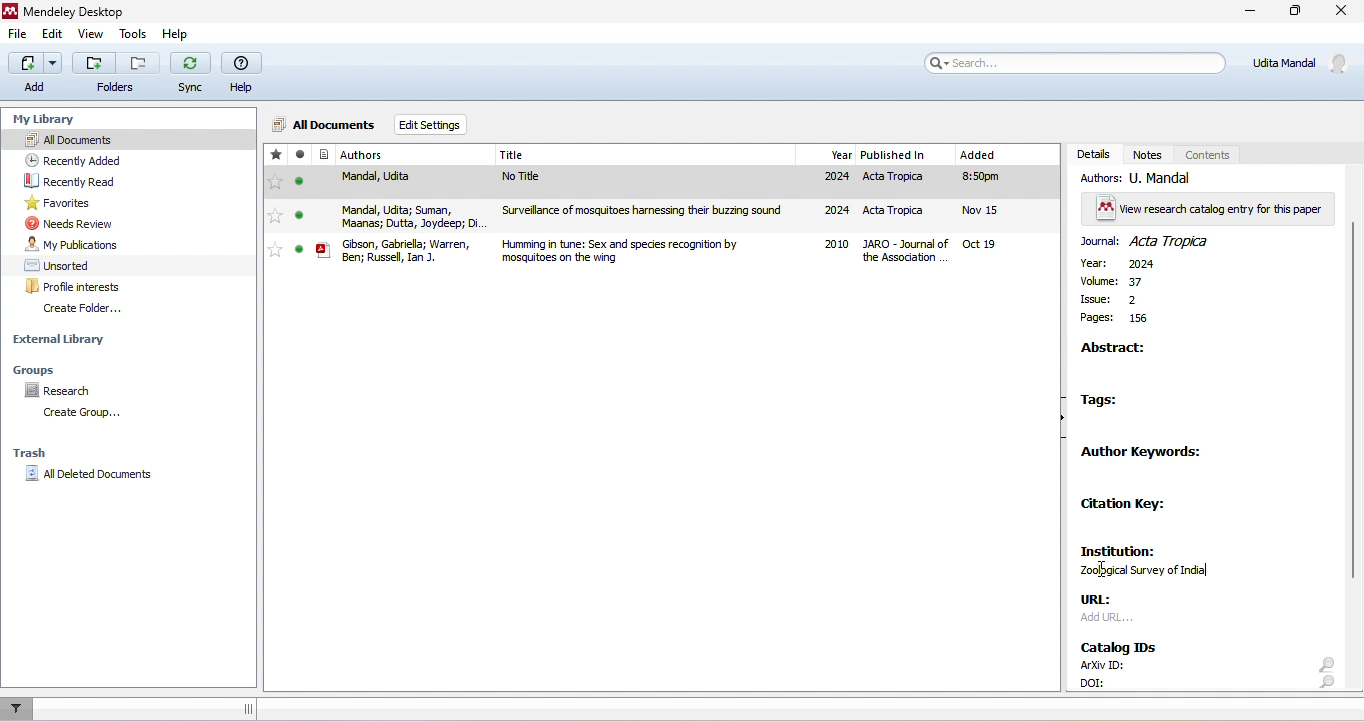  Describe the element at coordinates (1000, 203) in the screenshot. I see `added` at that location.